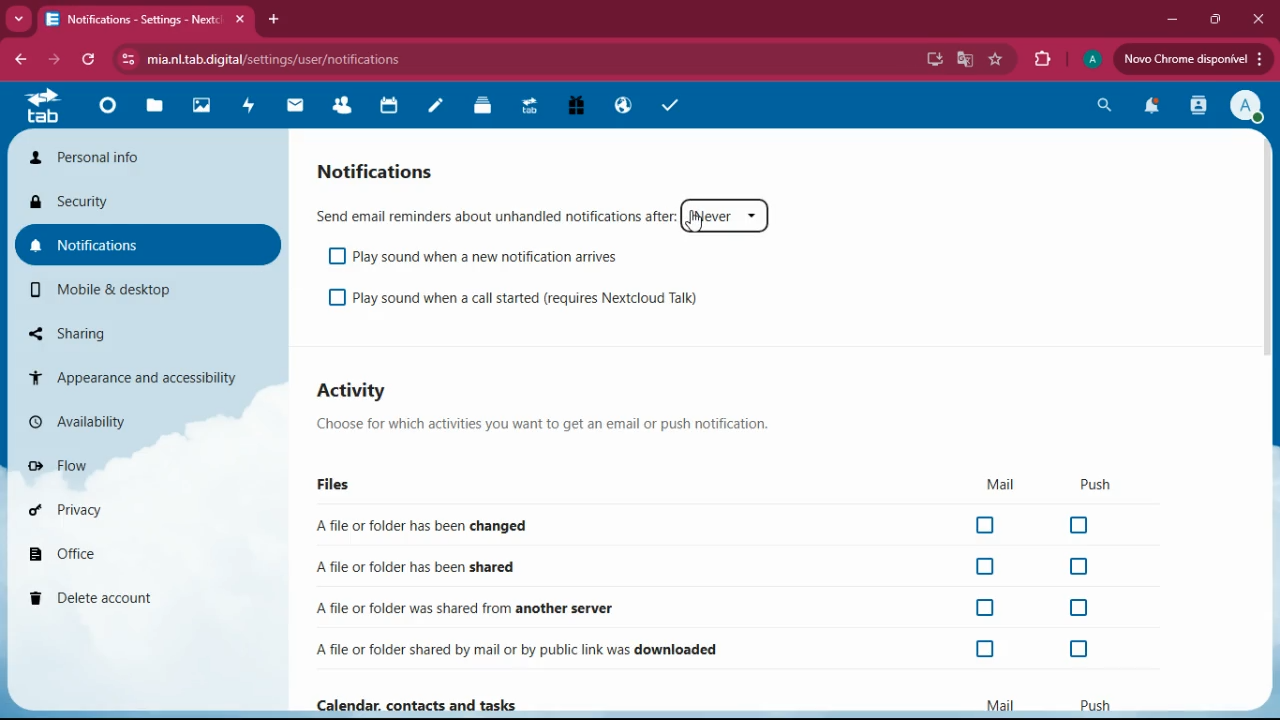 This screenshot has height=720, width=1280. Describe the element at coordinates (1078, 524) in the screenshot. I see `off` at that location.